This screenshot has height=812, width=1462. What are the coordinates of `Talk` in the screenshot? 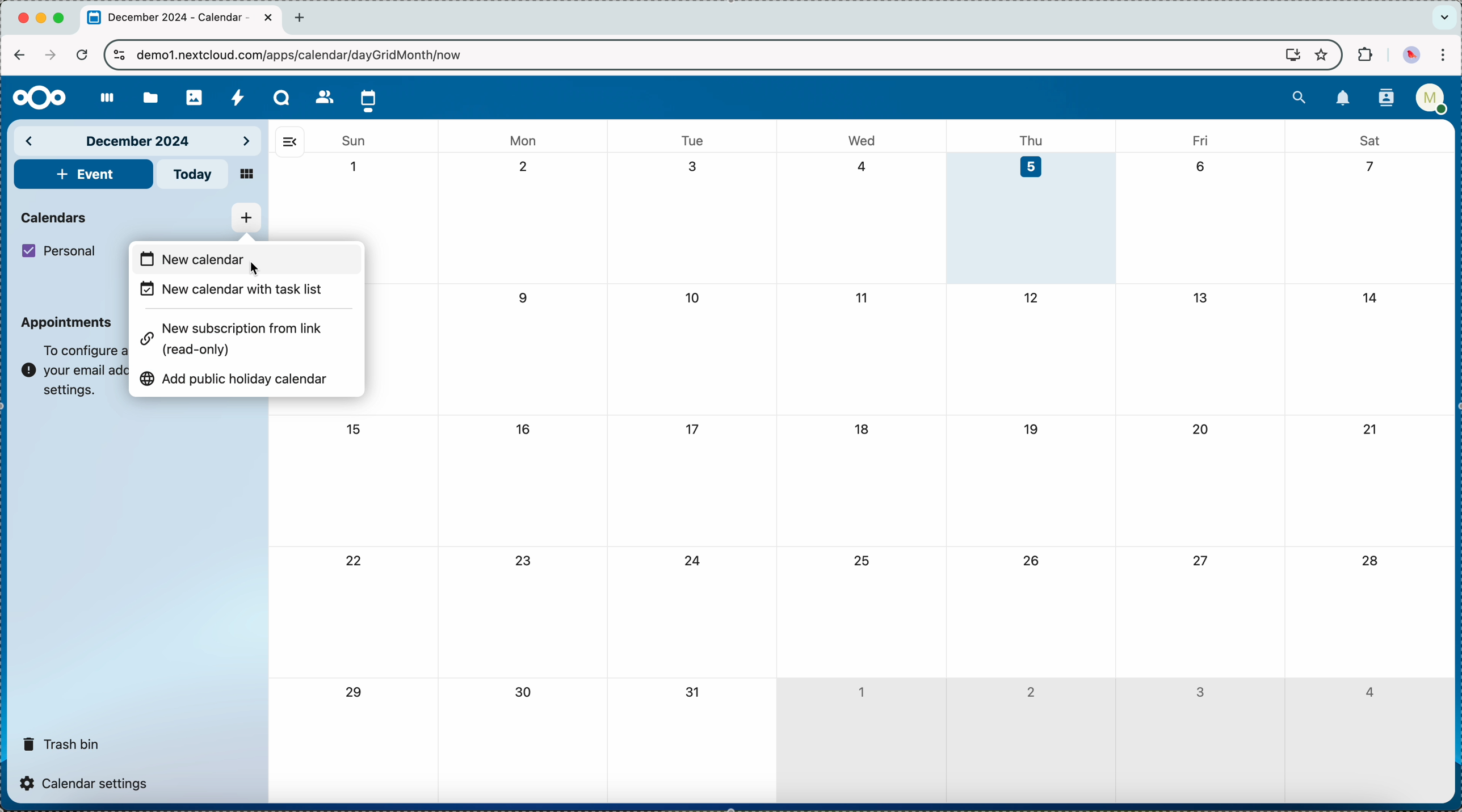 It's located at (282, 98).